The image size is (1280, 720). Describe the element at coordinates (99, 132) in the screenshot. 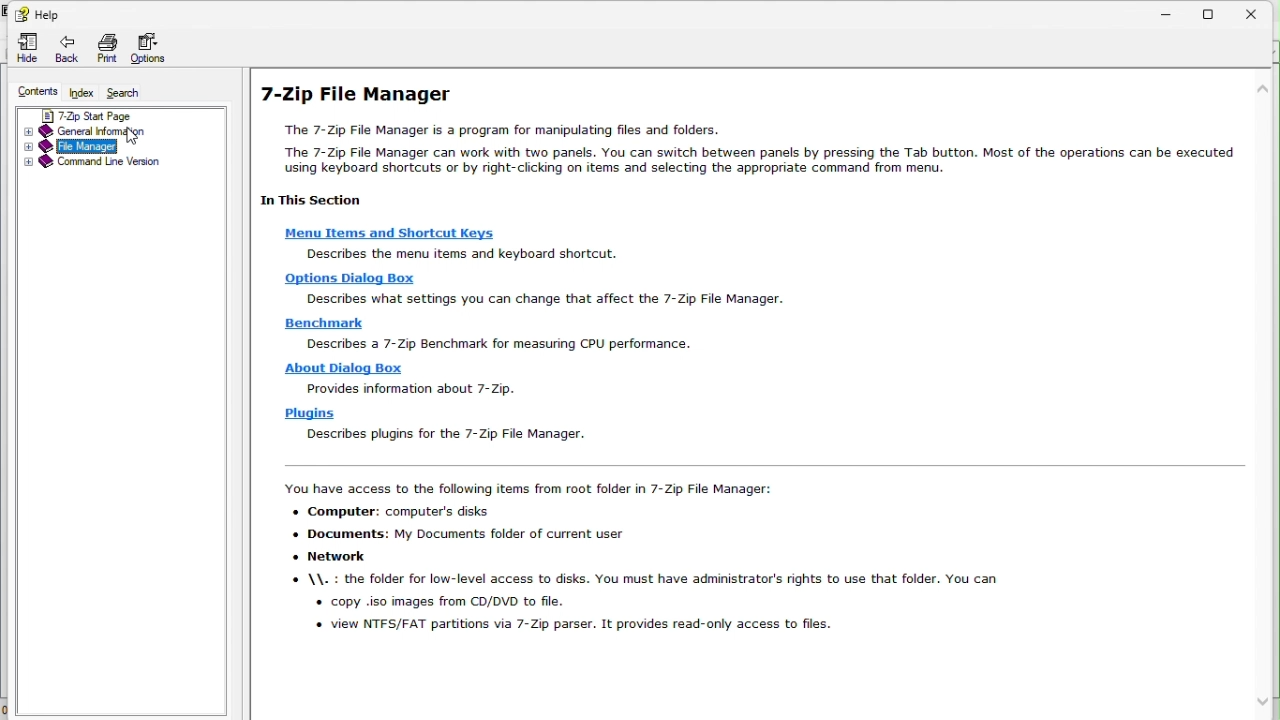

I see `General information` at that location.